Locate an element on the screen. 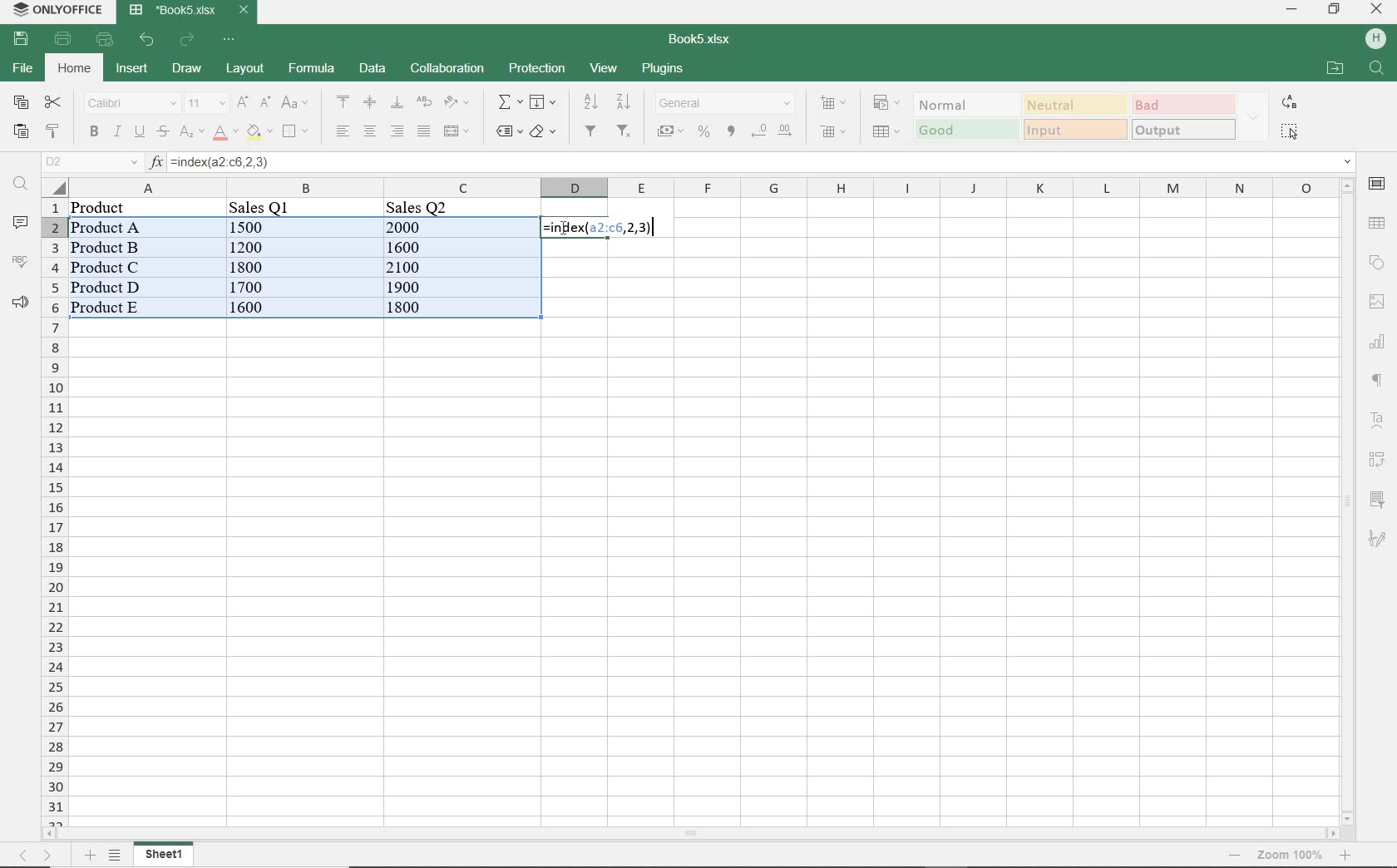 The width and height of the screenshot is (1397, 868). expand is located at coordinates (1255, 116).